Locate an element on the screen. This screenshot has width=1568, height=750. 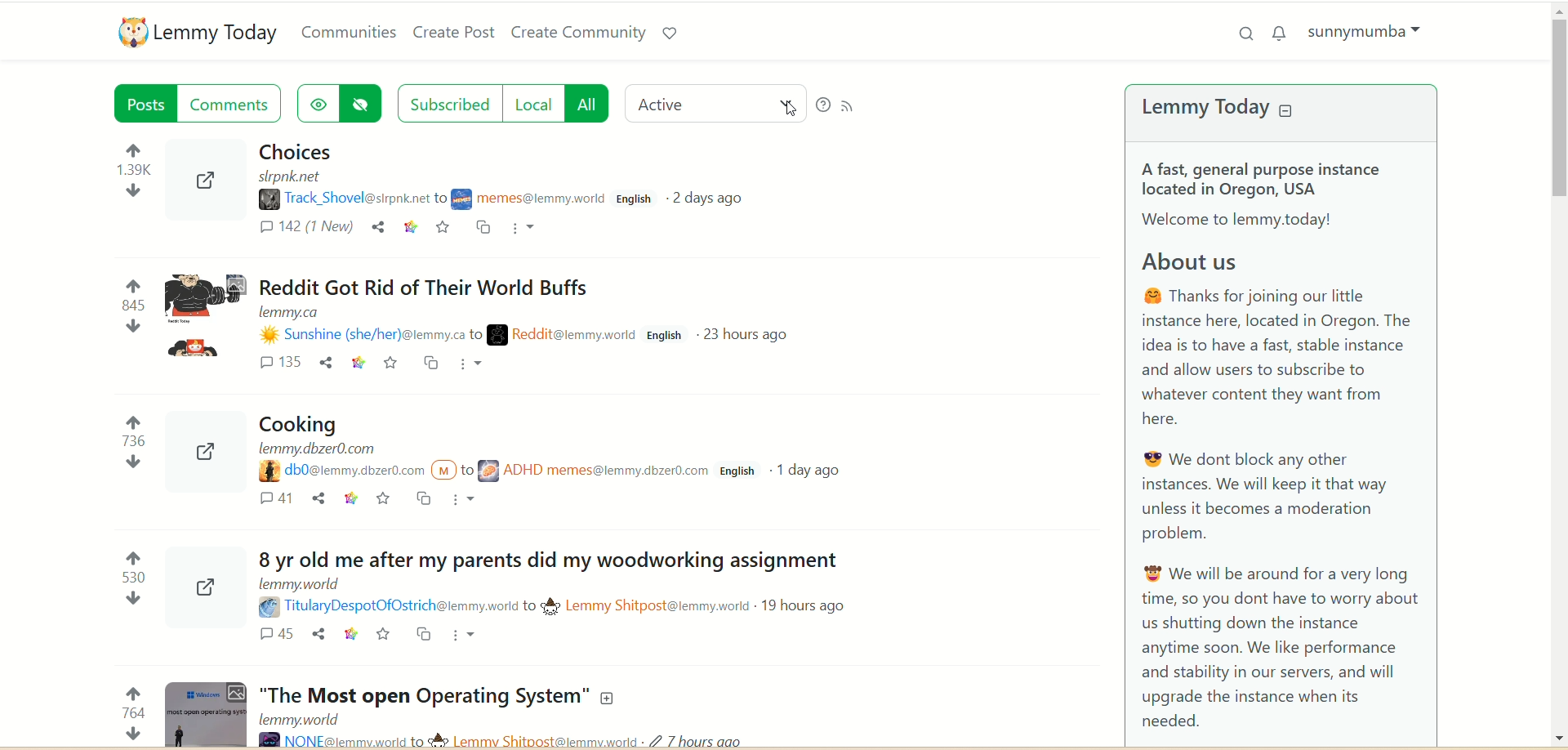
Comments is located at coordinates (277, 359).